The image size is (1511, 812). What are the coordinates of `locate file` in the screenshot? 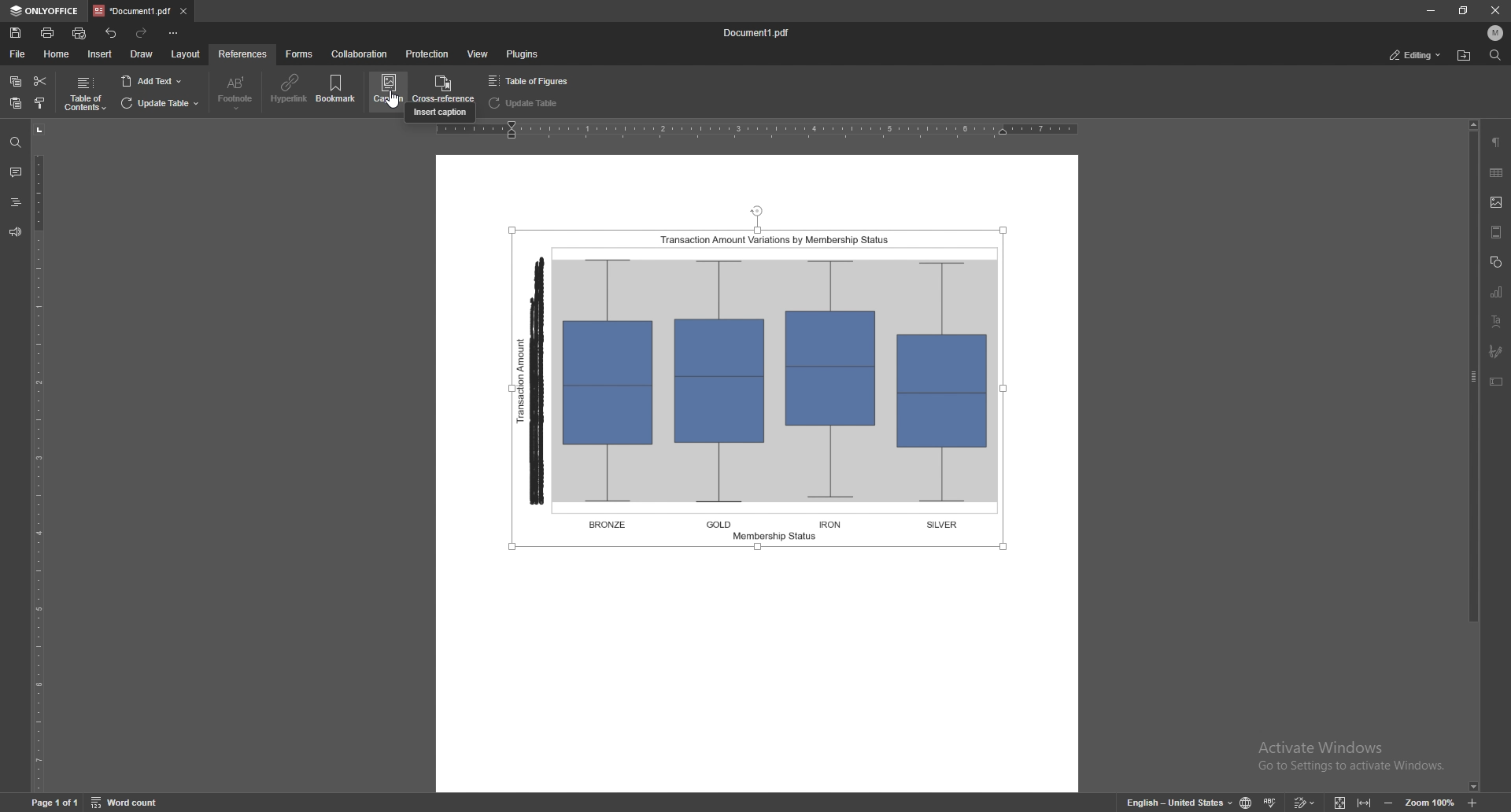 It's located at (1465, 57).